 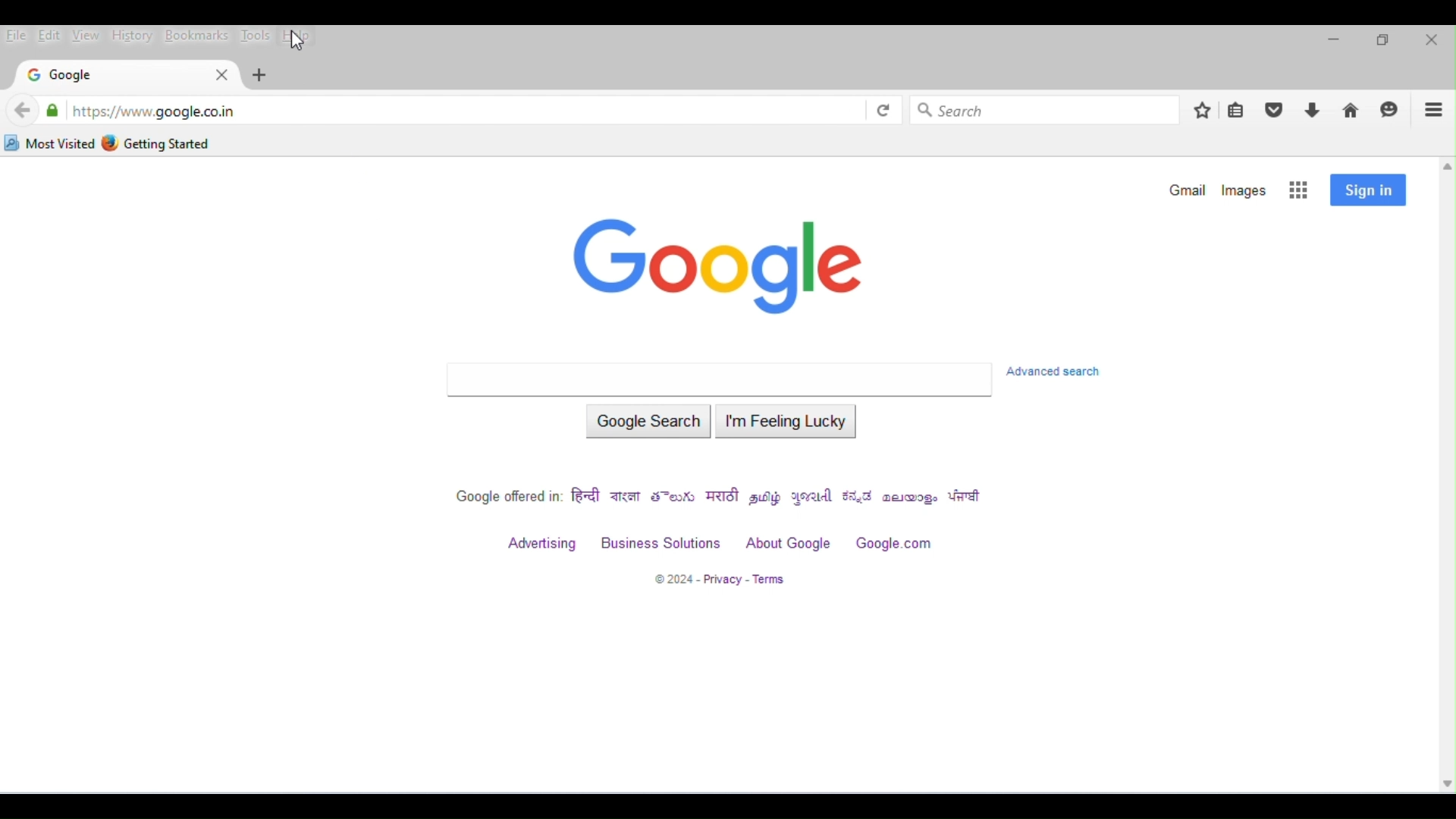 I want to click on verified by: google trust services, so click(x=52, y=110).